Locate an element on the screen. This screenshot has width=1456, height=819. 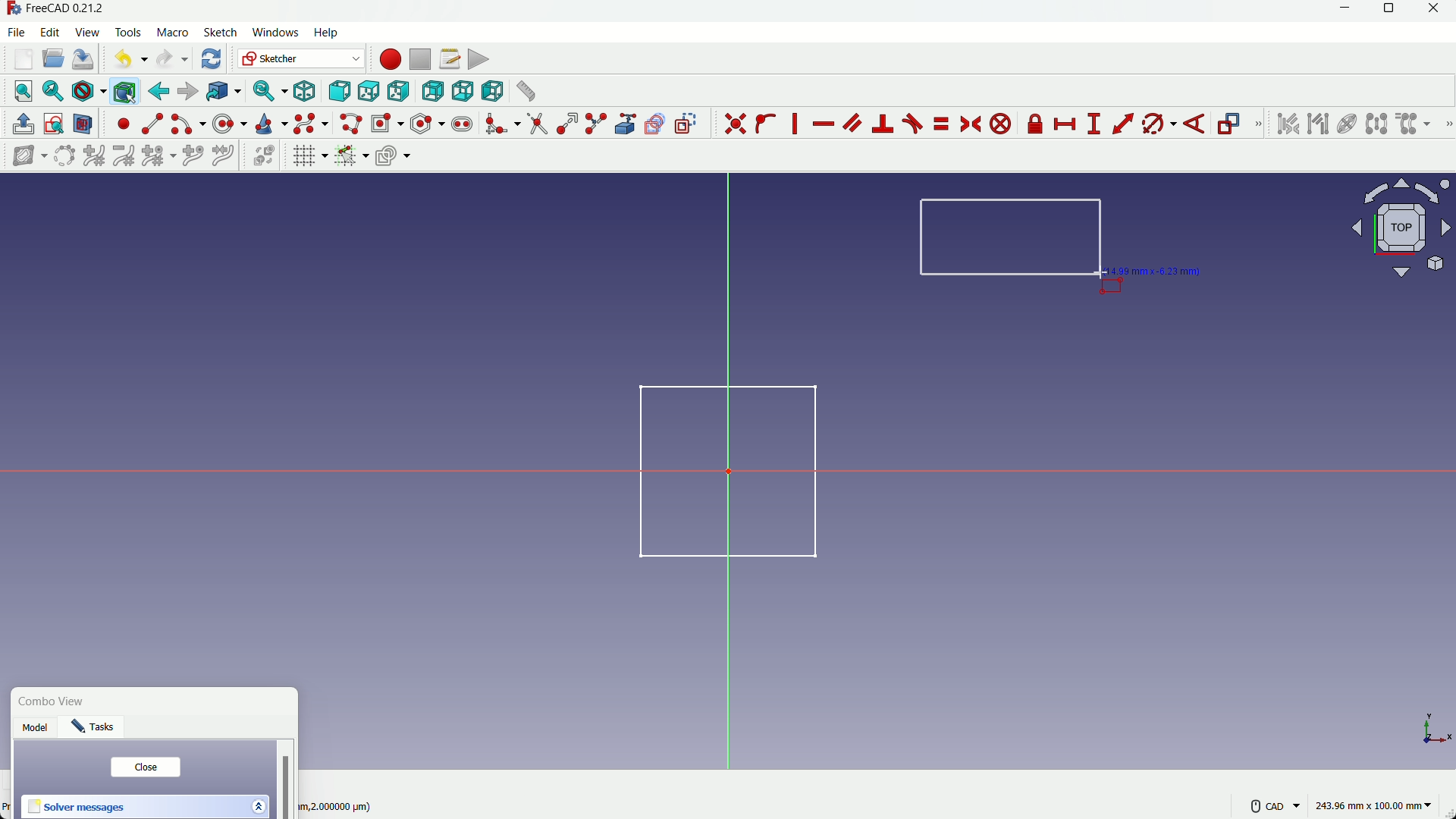
view menu is located at coordinates (89, 33).